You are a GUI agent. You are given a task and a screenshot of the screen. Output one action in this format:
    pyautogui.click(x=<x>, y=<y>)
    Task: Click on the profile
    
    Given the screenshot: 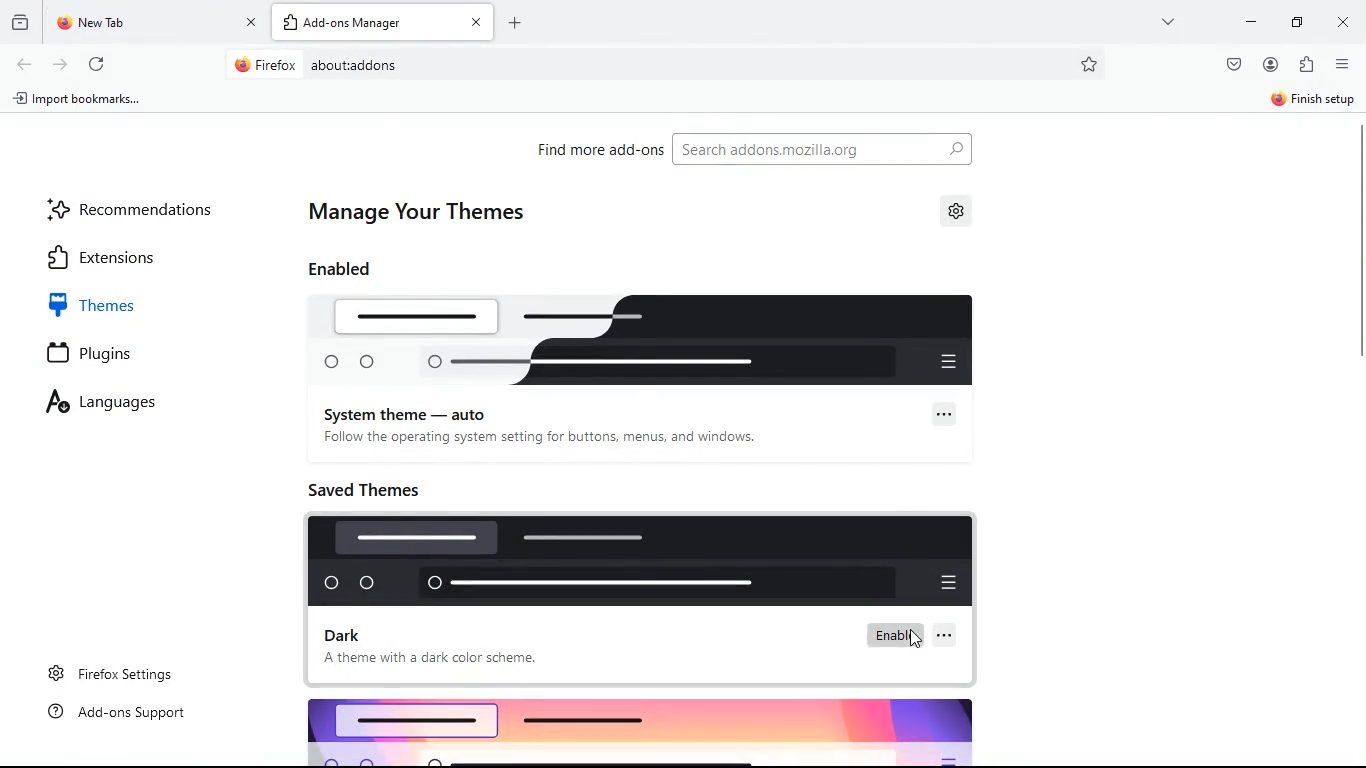 What is the action you would take?
    pyautogui.click(x=1268, y=65)
    